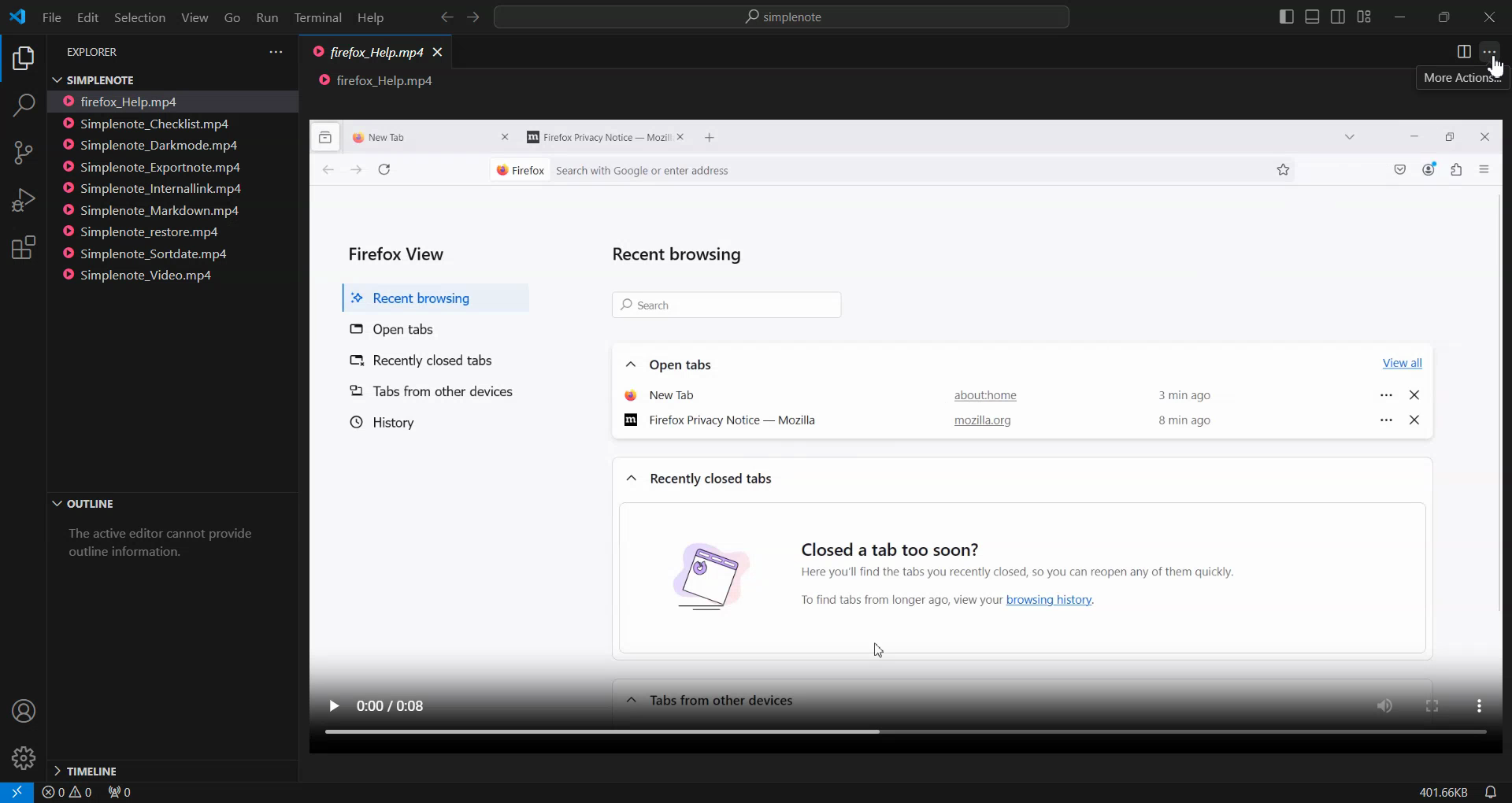 The image size is (1512, 803). Describe the element at coordinates (727, 422) in the screenshot. I see `Firefox Privacy Notice — Mozilla` at that location.